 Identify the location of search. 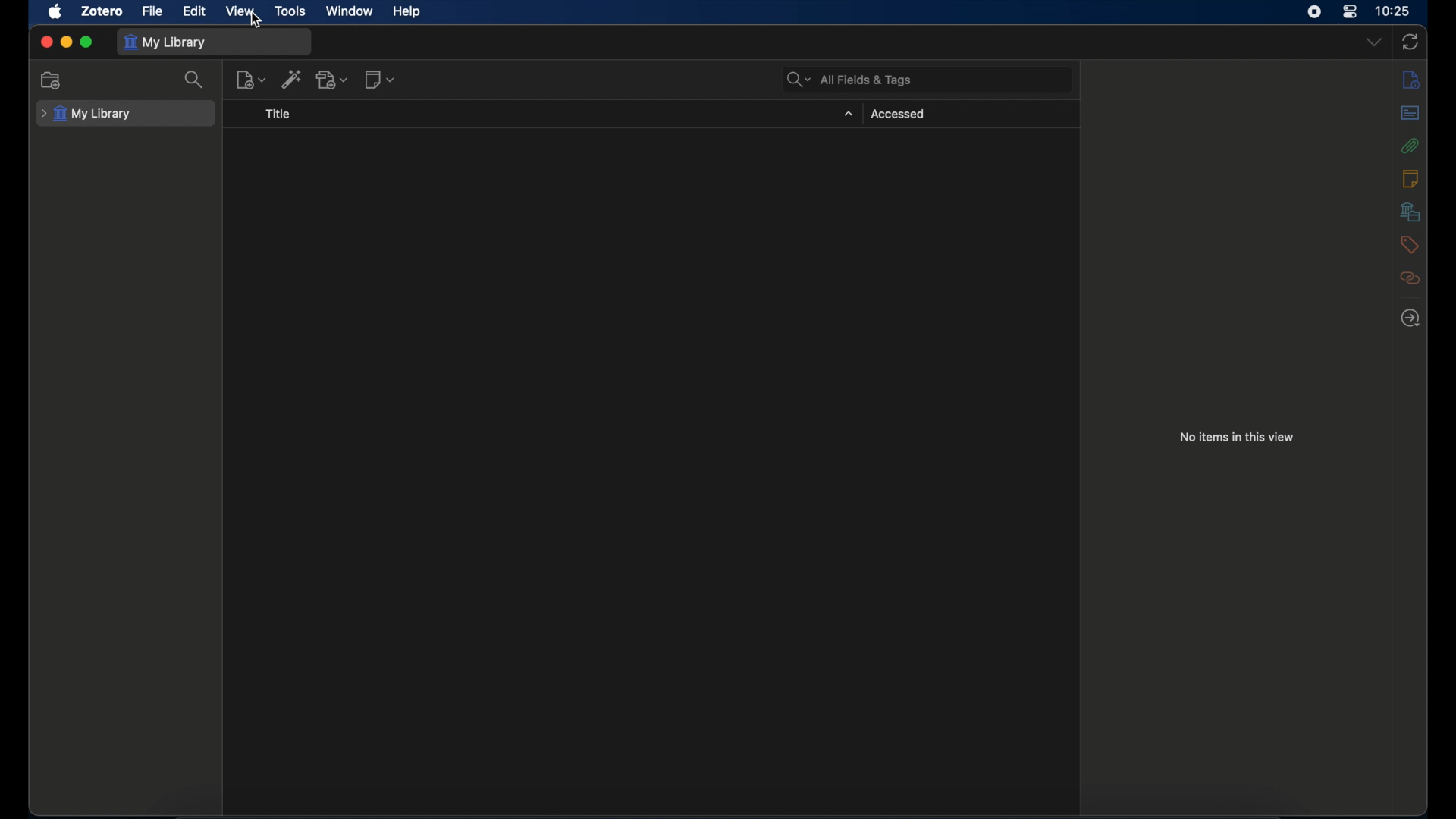
(193, 80).